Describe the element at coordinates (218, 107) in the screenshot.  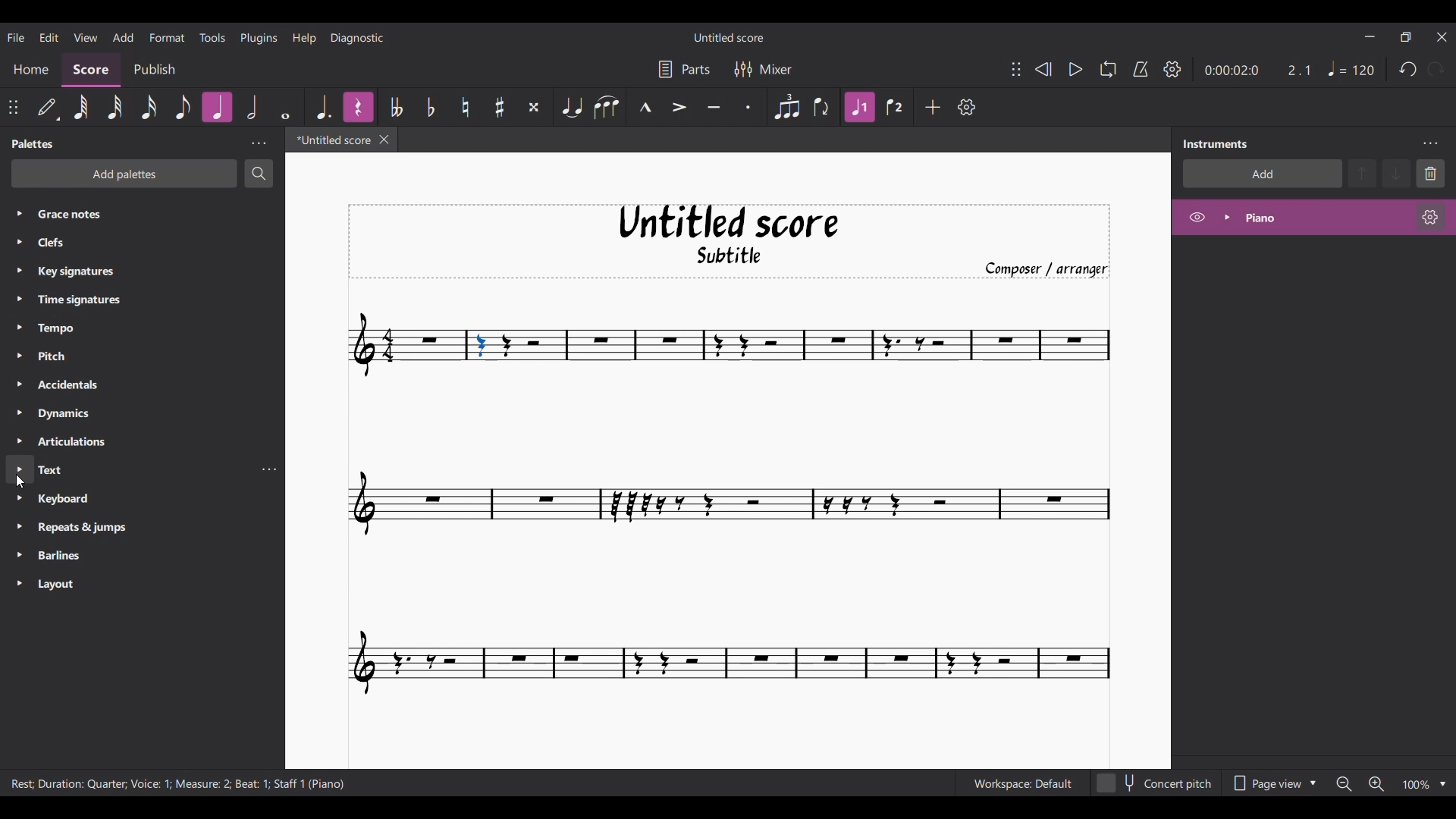
I see `Highlighted after current selection` at that location.